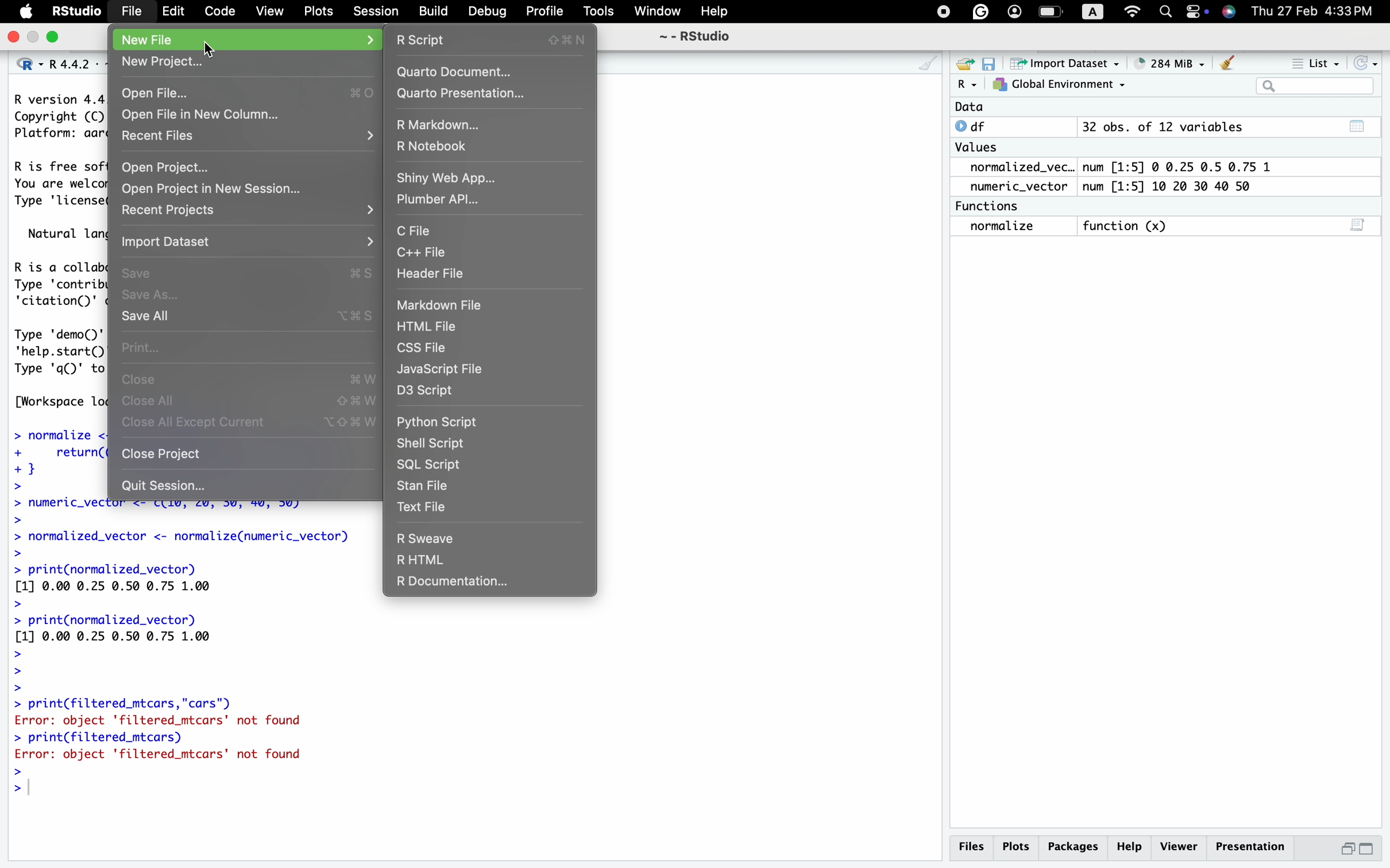 The width and height of the screenshot is (1390, 868). I want to click on Recent Projects, so click(176, 210).